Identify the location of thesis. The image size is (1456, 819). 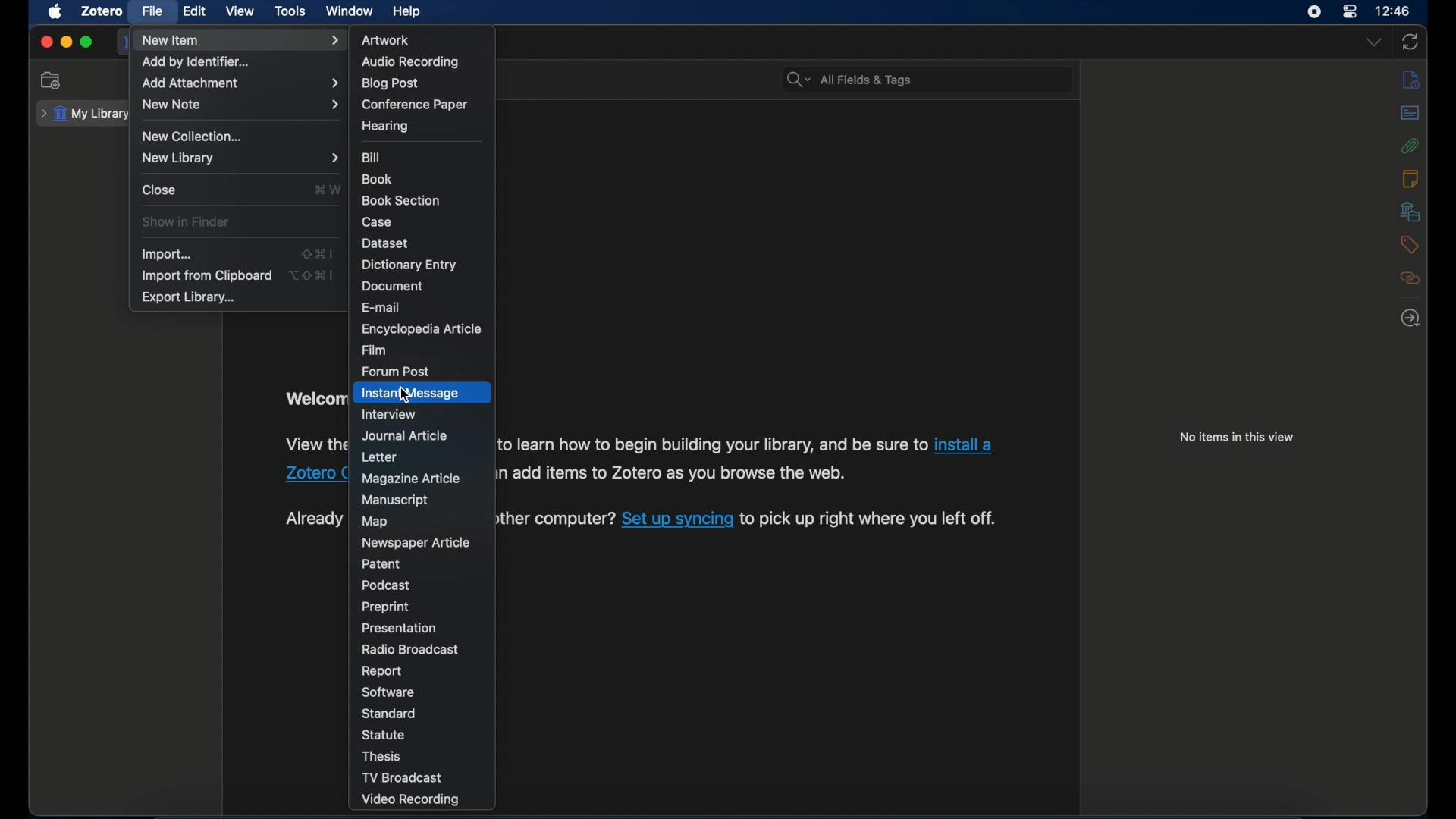
(381, 757).